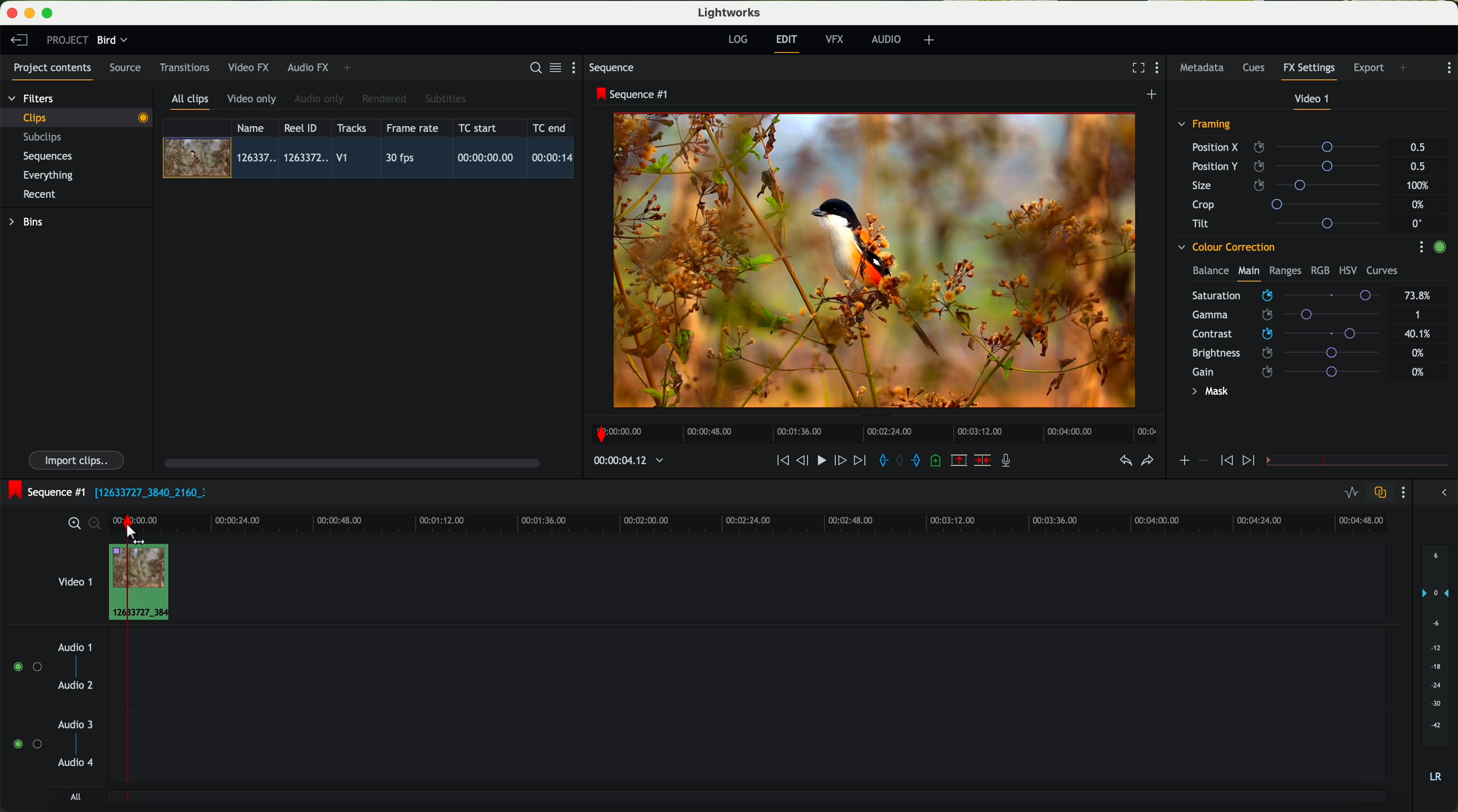 This screenshot has height=812, width=1458. What do you see at coordinates (859, 461) in the screenshot?
I see `move foward` at bounding box center [859, 461].